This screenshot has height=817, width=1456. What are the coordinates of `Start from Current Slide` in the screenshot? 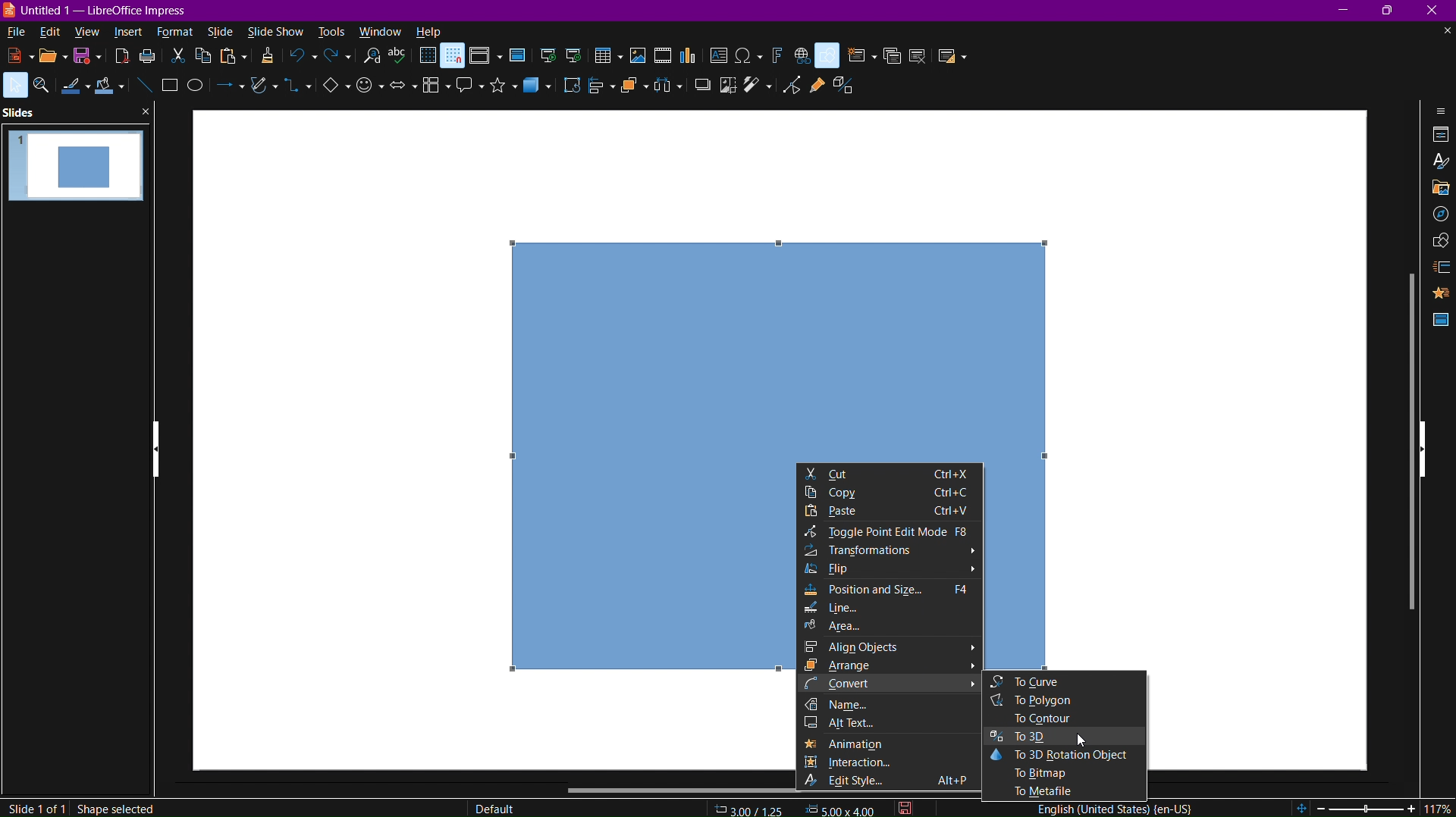 It's located at (577, 55).